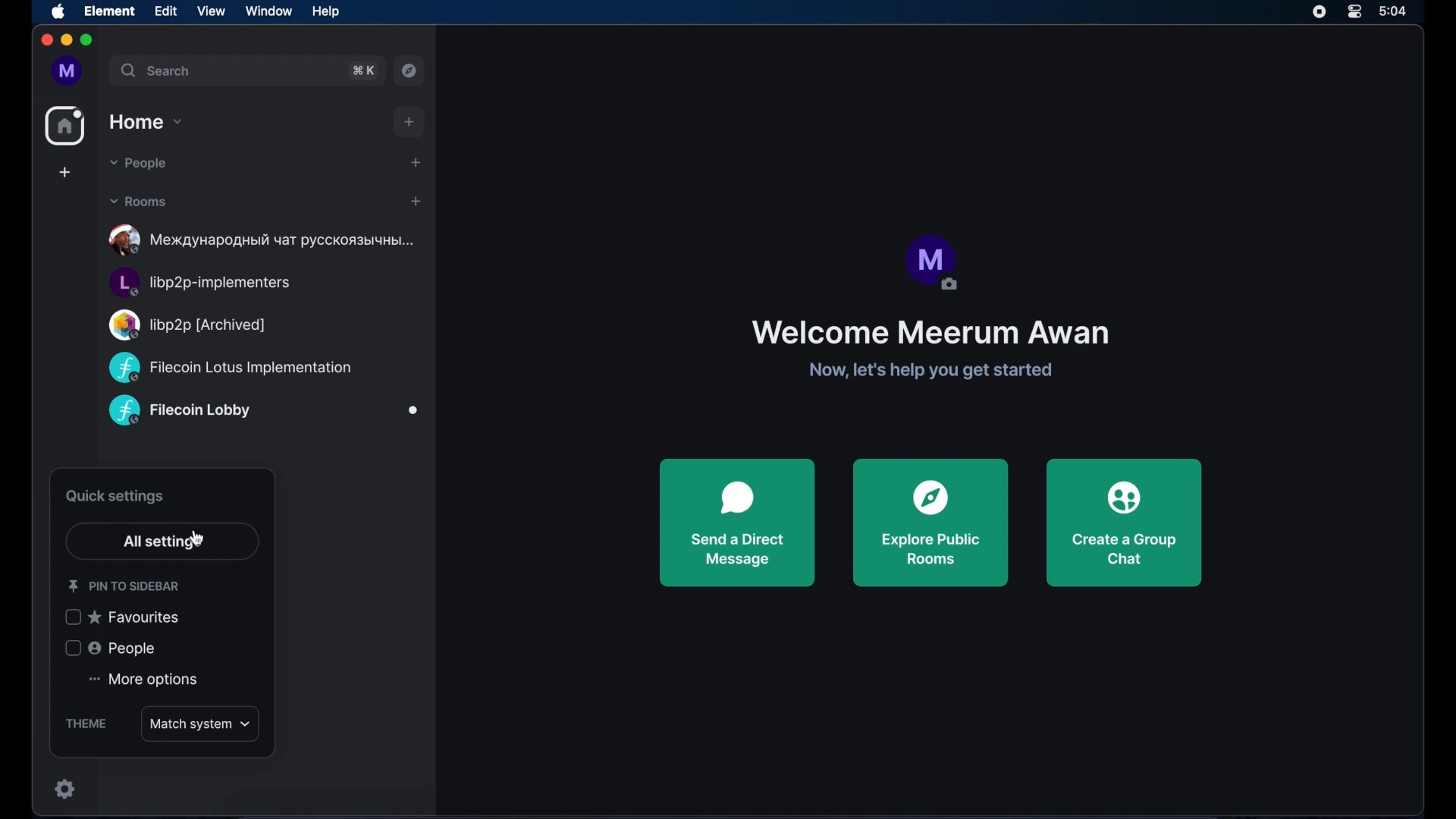  I want to click on view, so click(211, 11).